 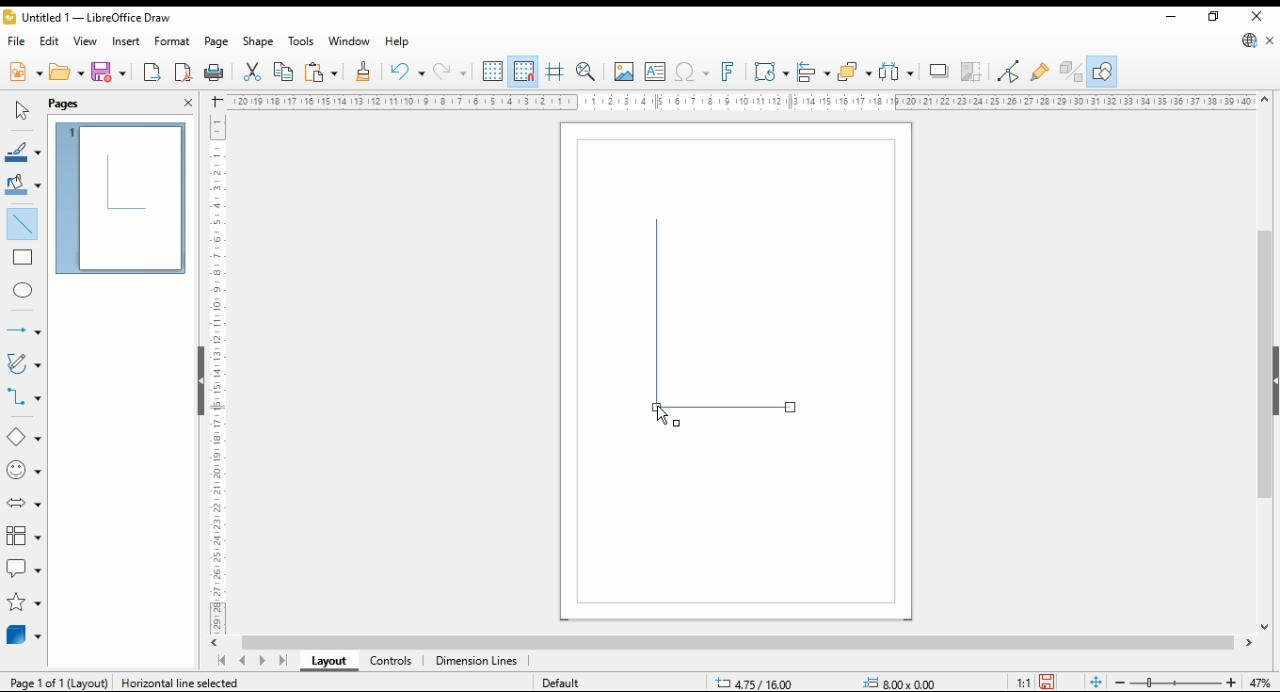 What do you see at coordinates (24, 568) in the screenshot?
I see `callout shapes` at bounding box center [24, 568].